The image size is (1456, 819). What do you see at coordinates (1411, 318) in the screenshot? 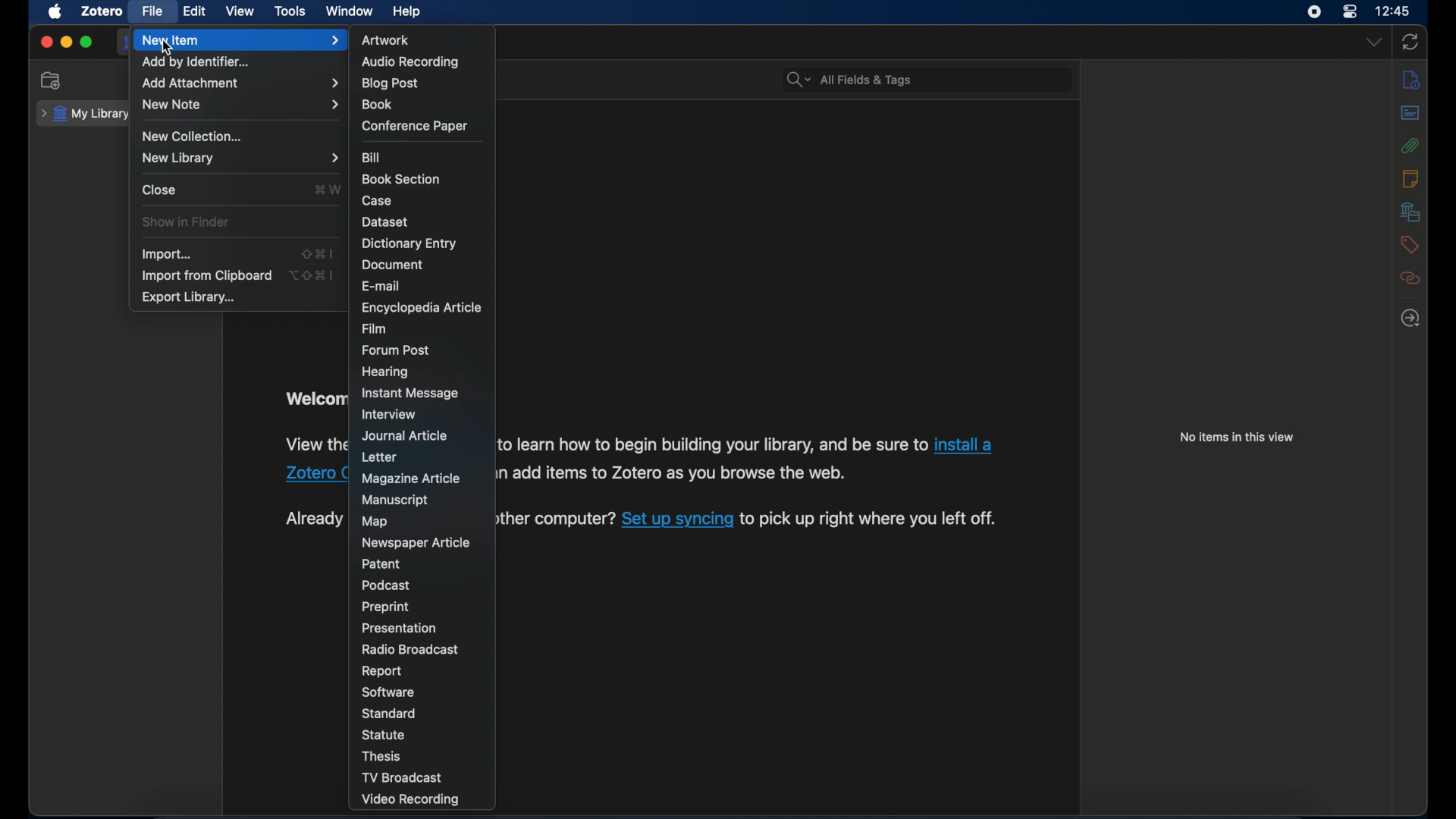
I see `locate` at bounding box center [1411, 318].